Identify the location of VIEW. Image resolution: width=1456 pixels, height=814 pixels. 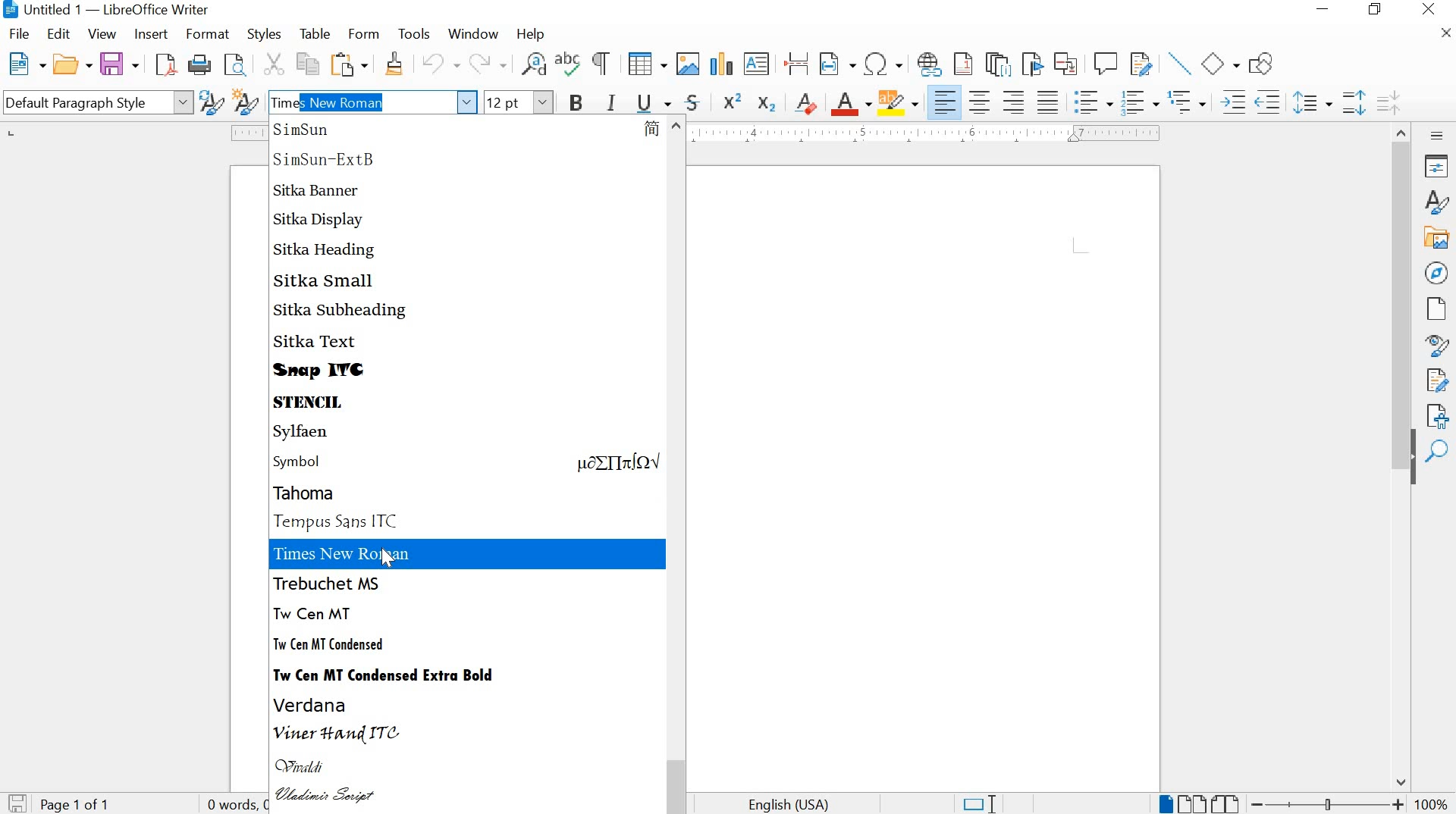
(103, 35).